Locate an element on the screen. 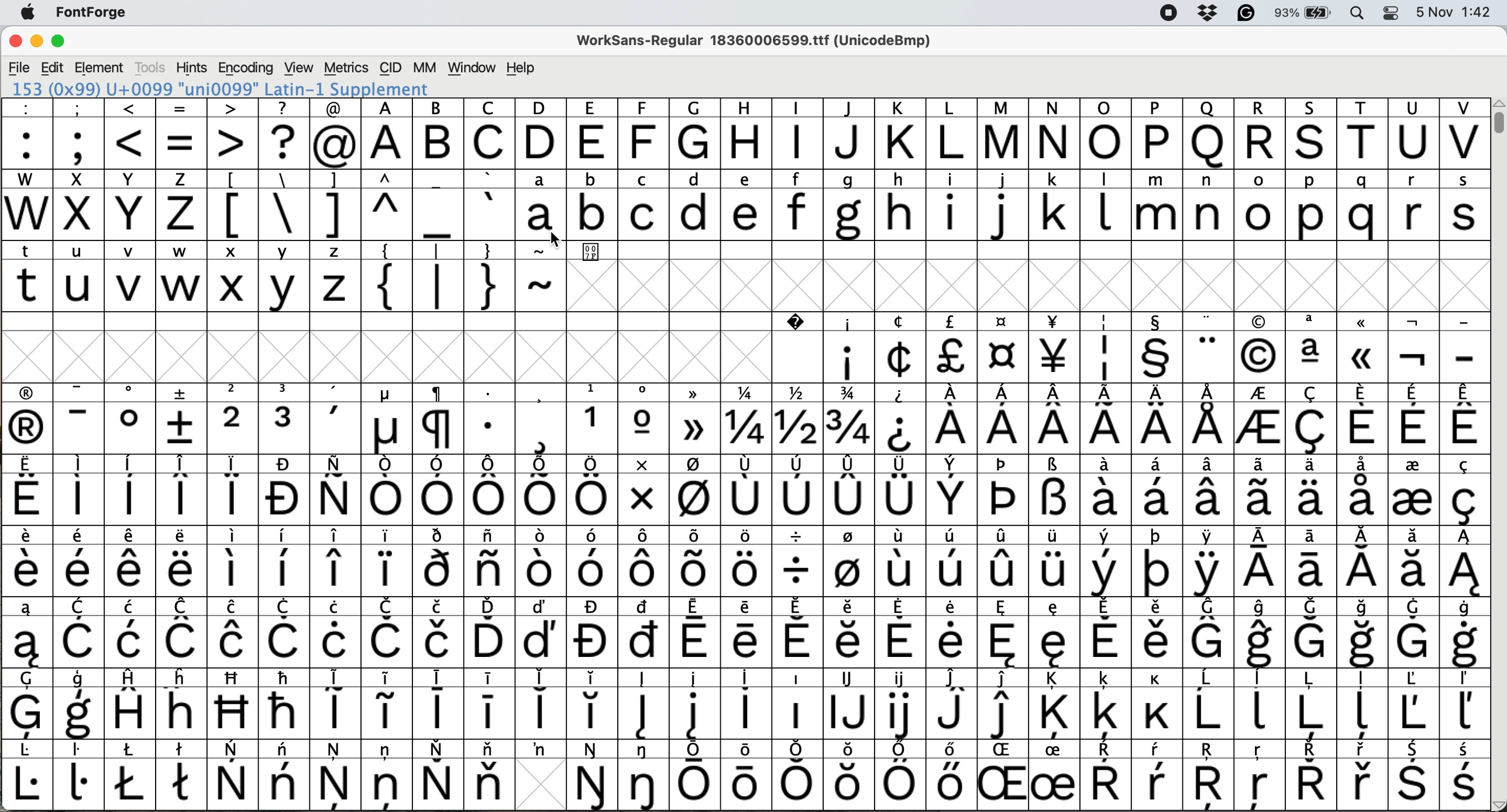  symbol is located at coordinates (901, 348).